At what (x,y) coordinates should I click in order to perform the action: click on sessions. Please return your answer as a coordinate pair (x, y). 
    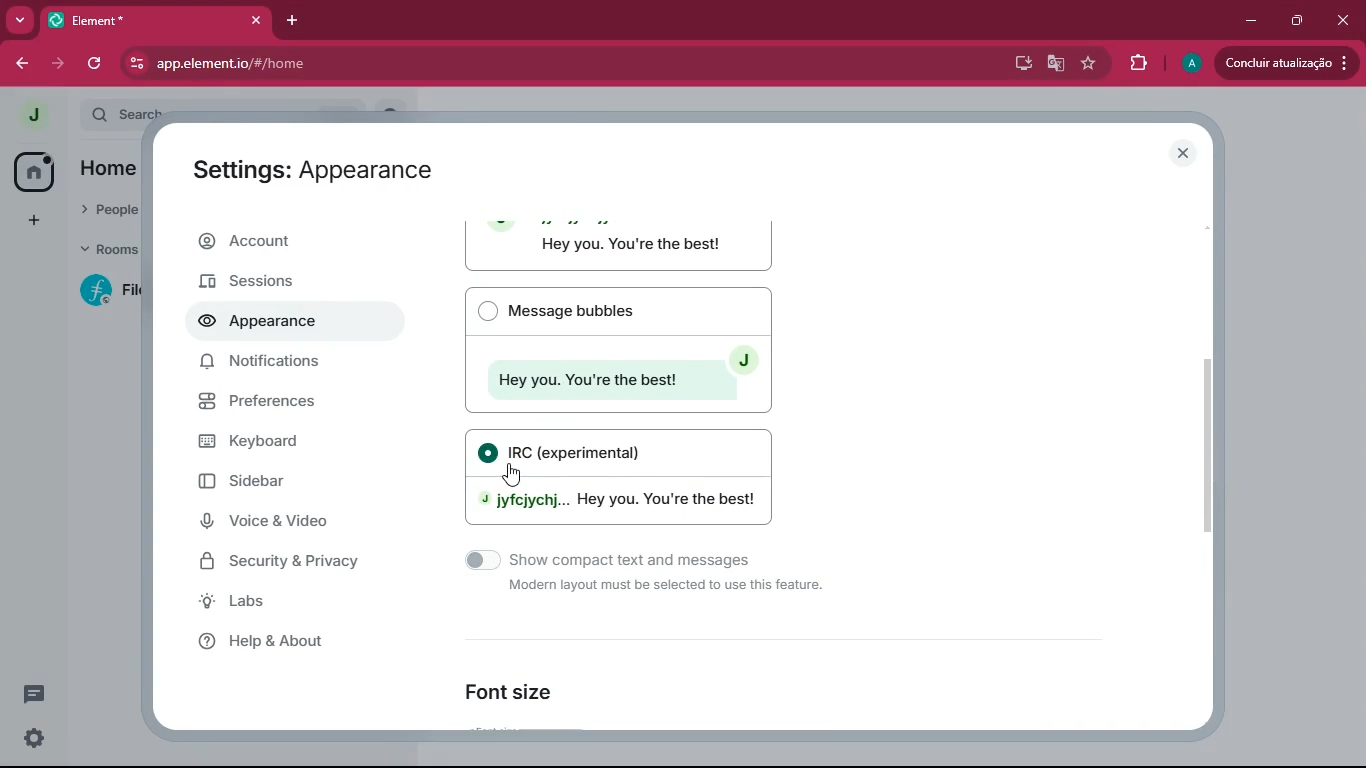
    Looking at the image, I should click on (266, 283).